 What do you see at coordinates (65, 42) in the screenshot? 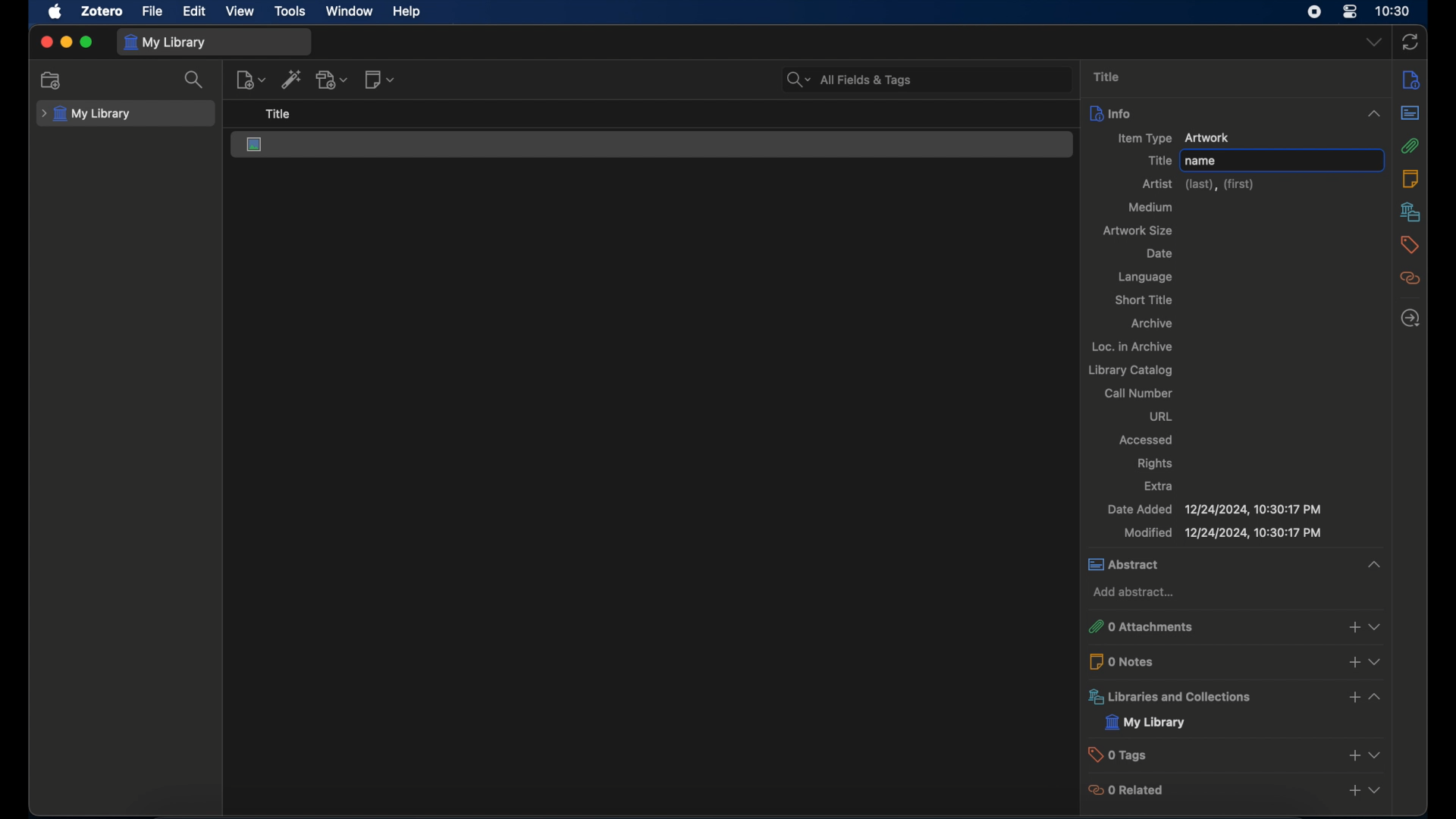
I see `minimize` at bounding box center [65, 42].